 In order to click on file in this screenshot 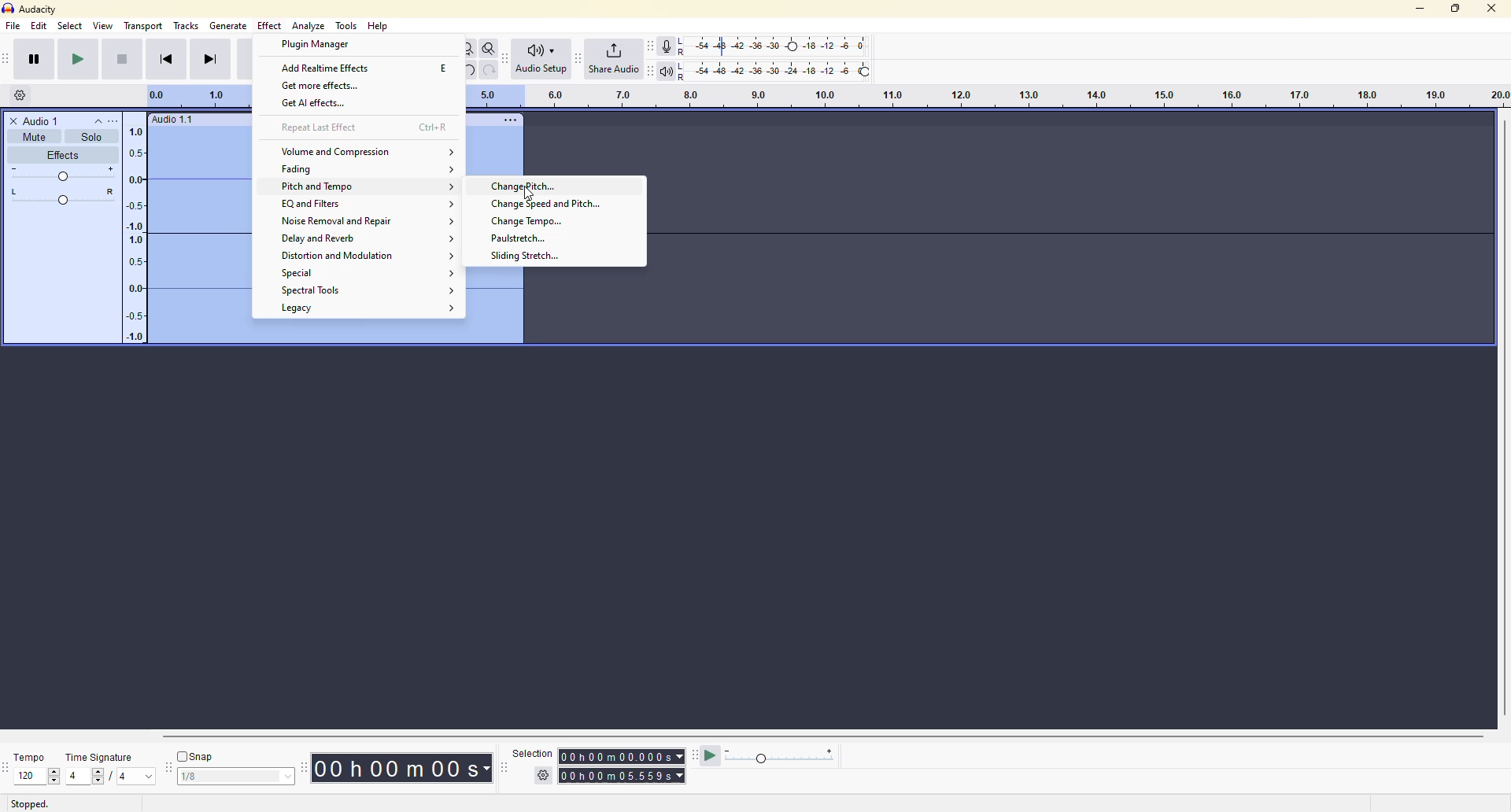, I will do `click(13, 26)`.